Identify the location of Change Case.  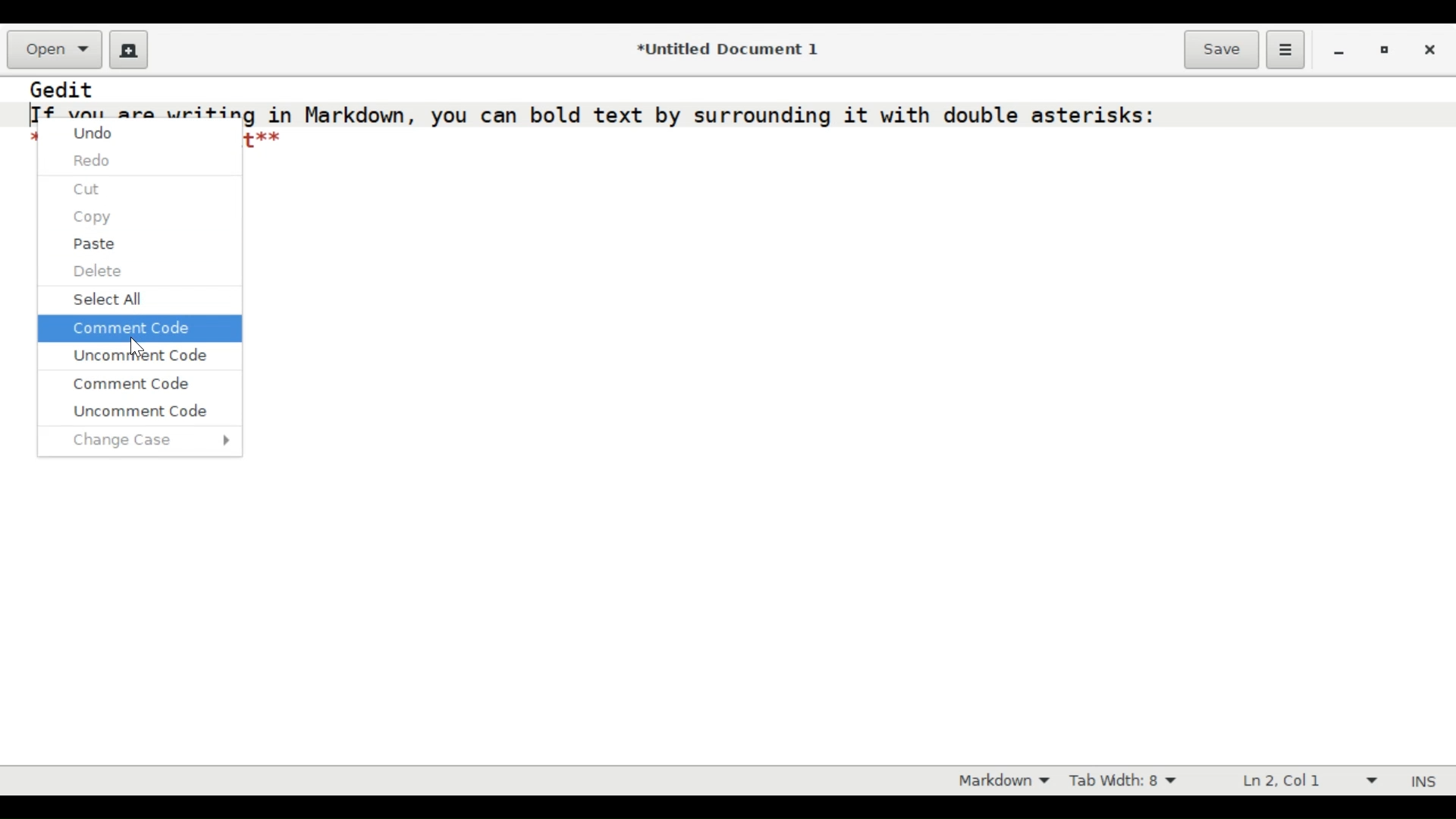
(152, 439).